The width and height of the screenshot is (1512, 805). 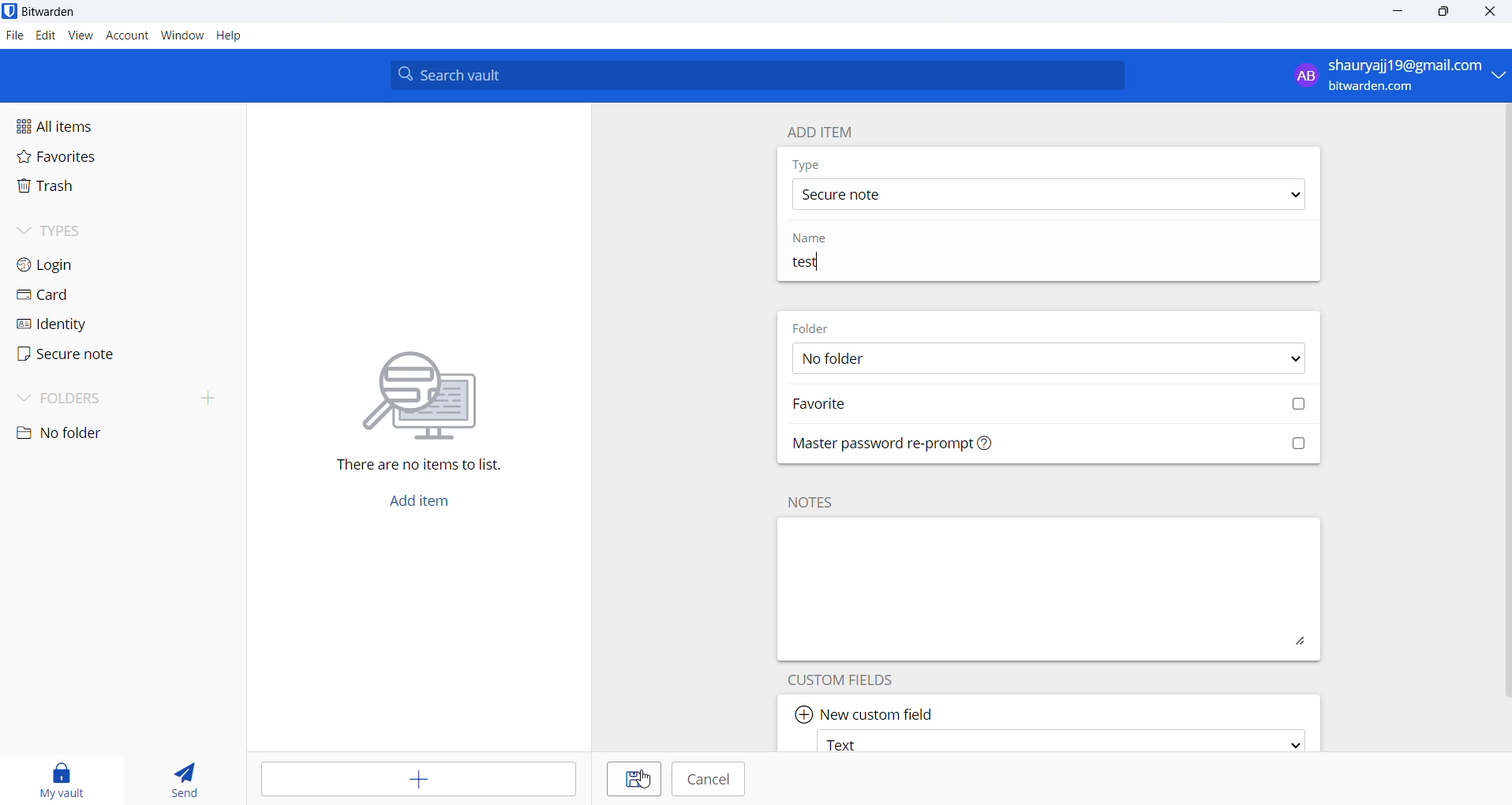 I want to click on title, so click(x=955, y=264).